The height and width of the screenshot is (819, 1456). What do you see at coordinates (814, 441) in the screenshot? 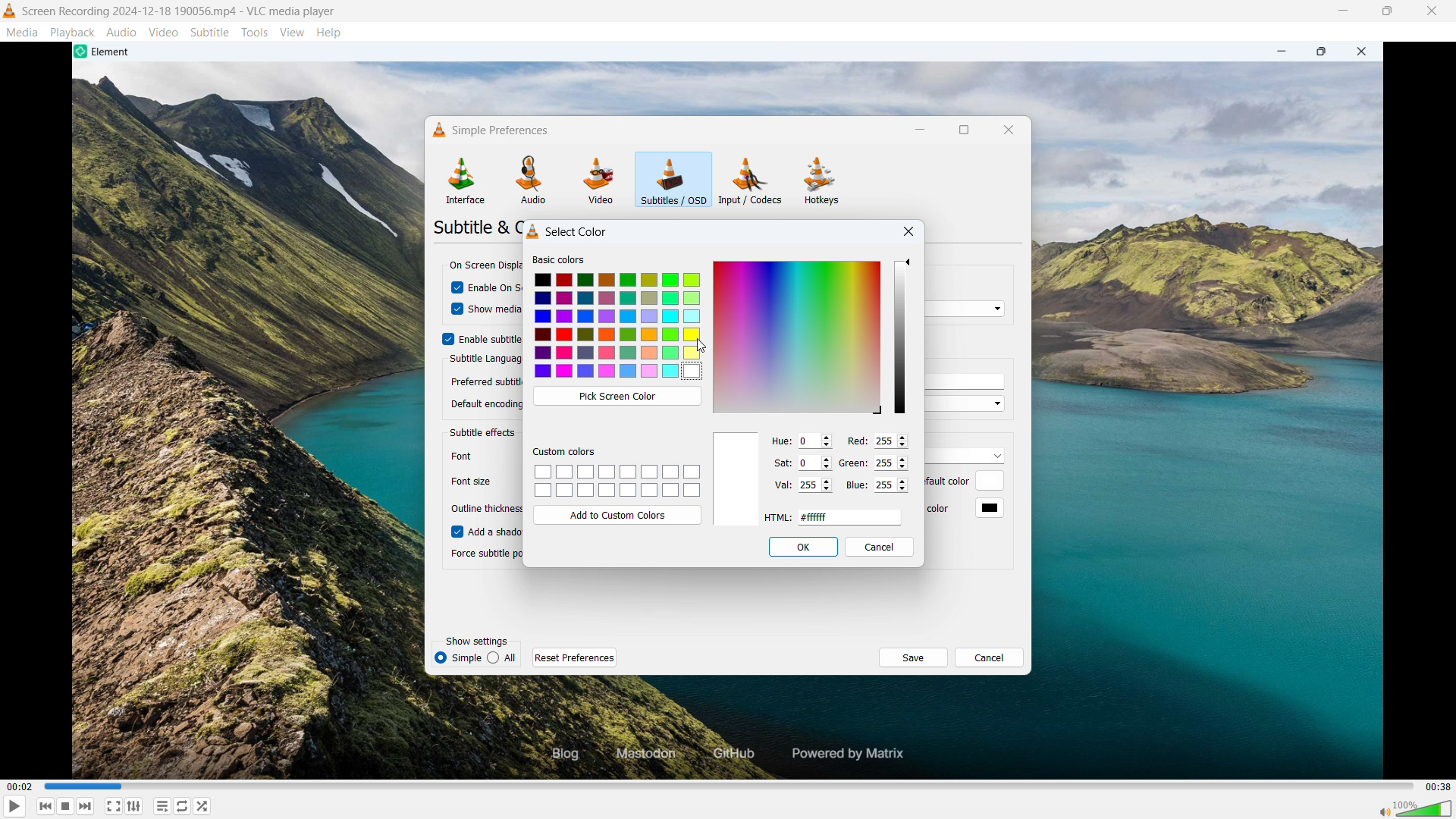
I see `set hue ` at bounding box center [814, 441].